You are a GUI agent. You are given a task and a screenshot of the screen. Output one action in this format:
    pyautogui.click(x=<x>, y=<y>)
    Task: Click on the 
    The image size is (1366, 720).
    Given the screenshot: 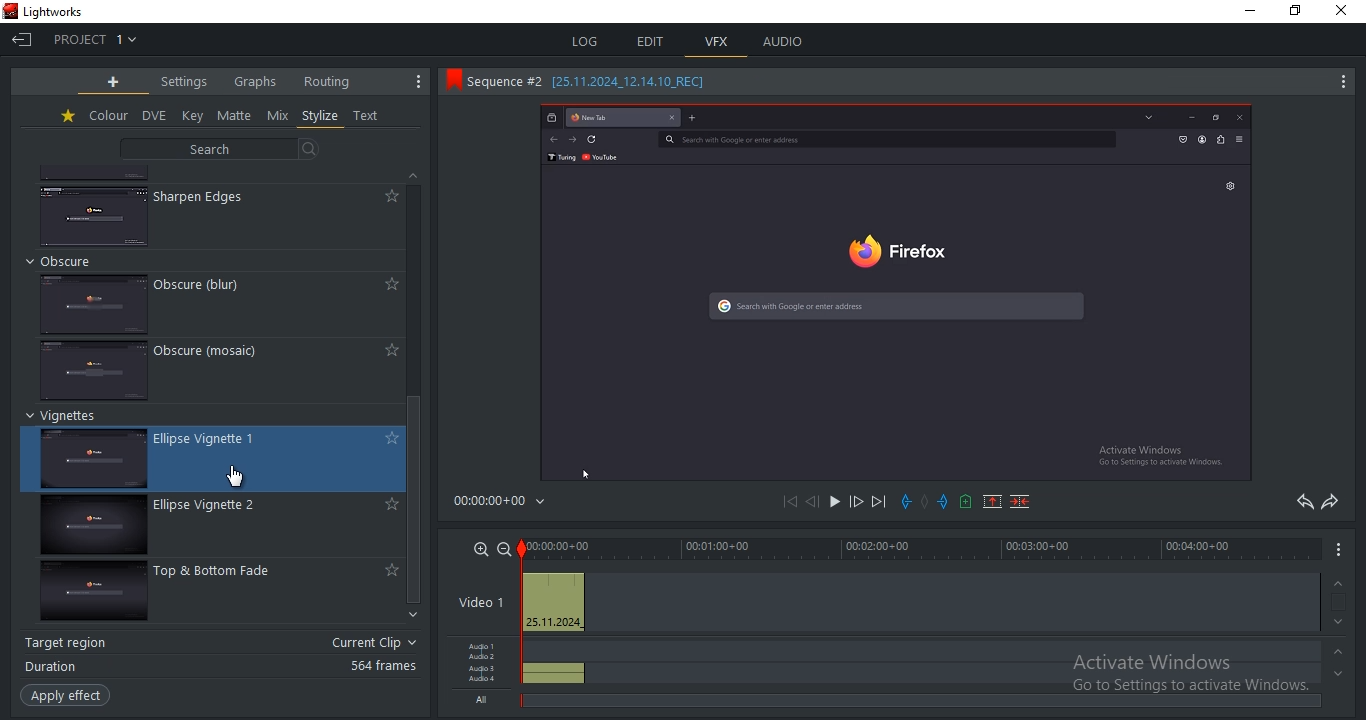 What is the action you would take?
    pyautogui.click(x=991, y=501)
    